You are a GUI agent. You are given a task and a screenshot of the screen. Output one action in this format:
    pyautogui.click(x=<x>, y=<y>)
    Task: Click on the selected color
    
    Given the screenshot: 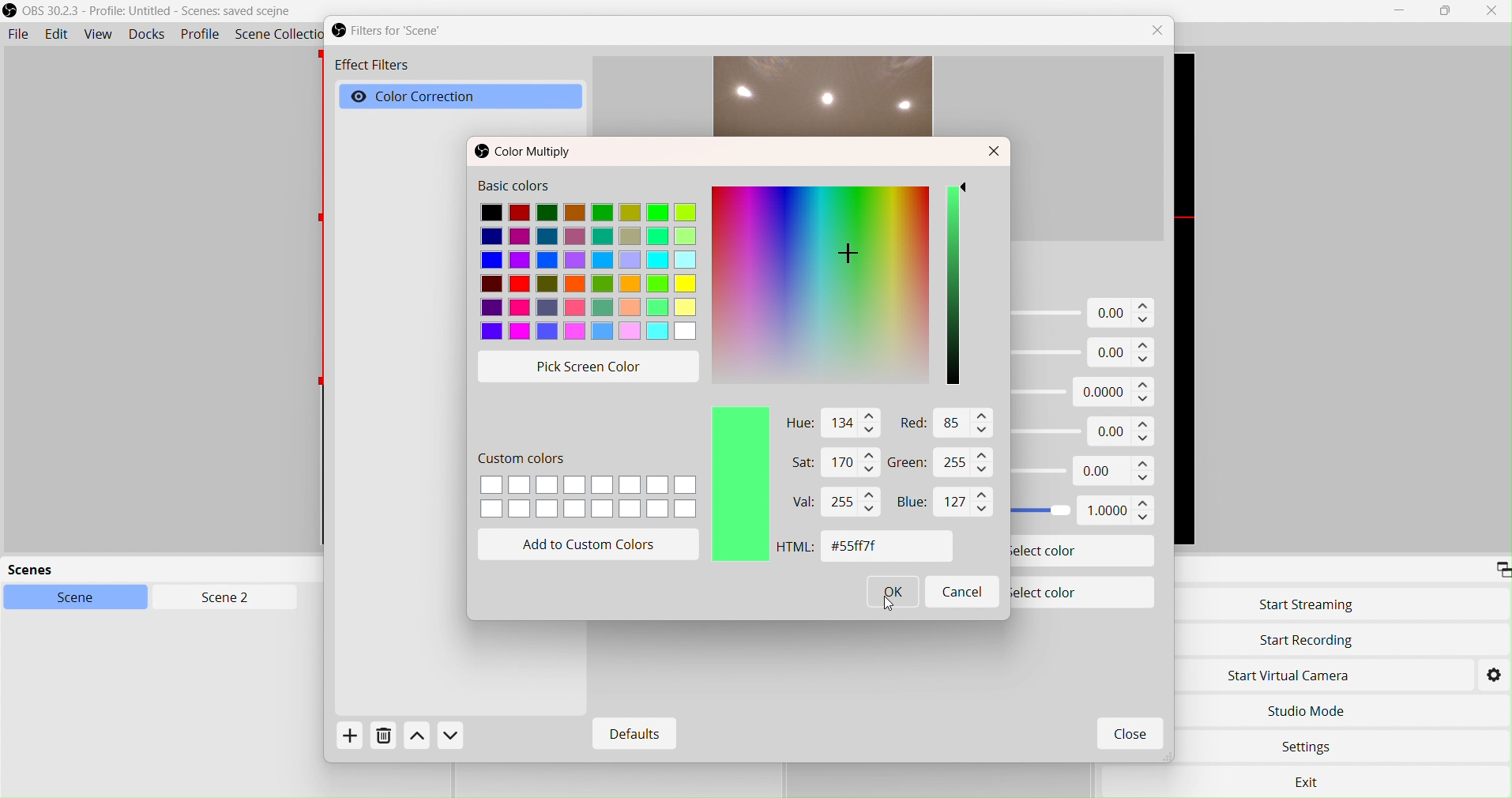 What is the action you would take?
    pyautogui.click(x=738, y=487)
    